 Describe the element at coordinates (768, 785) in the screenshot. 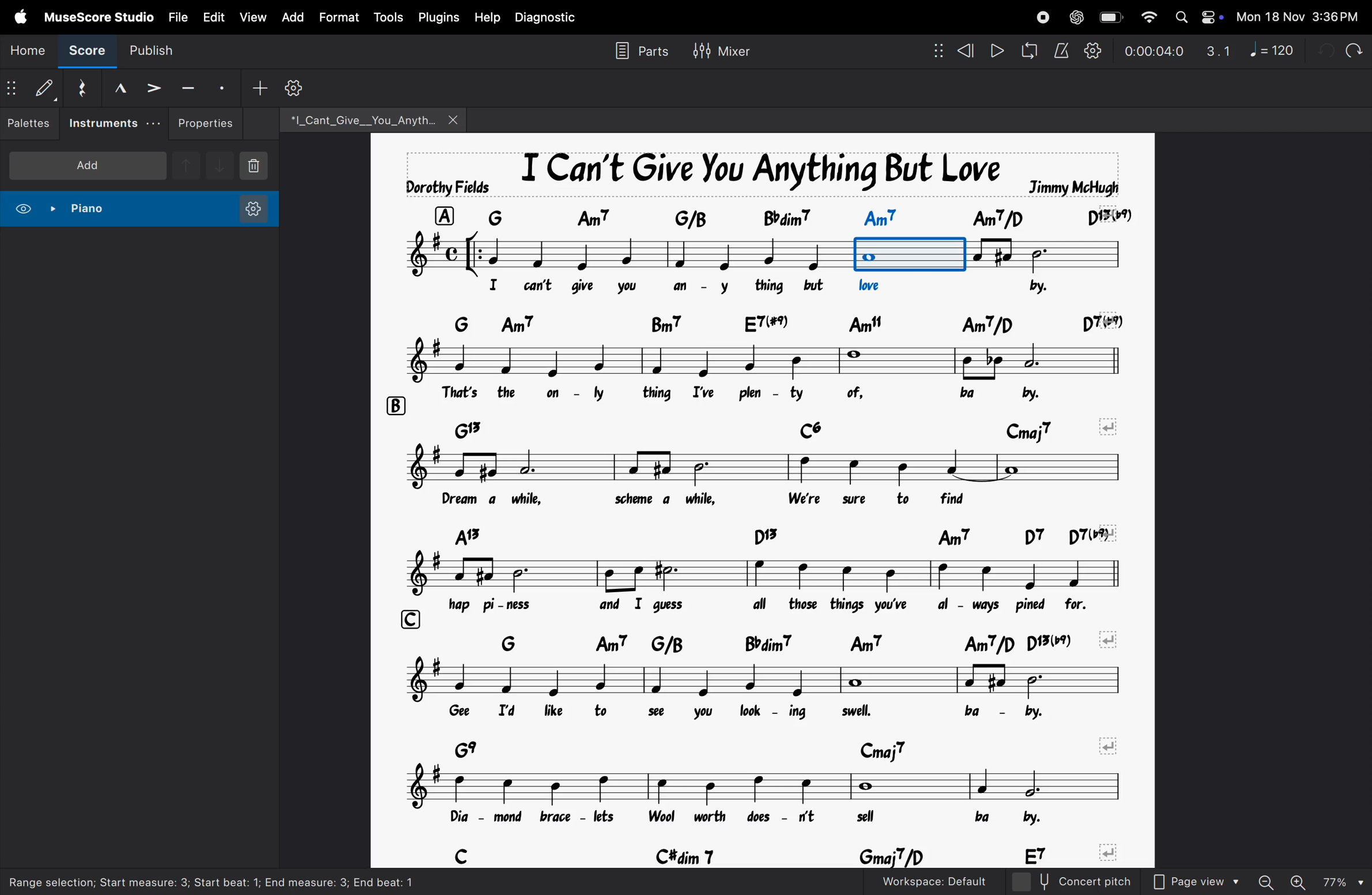

I see `notes` at that location.